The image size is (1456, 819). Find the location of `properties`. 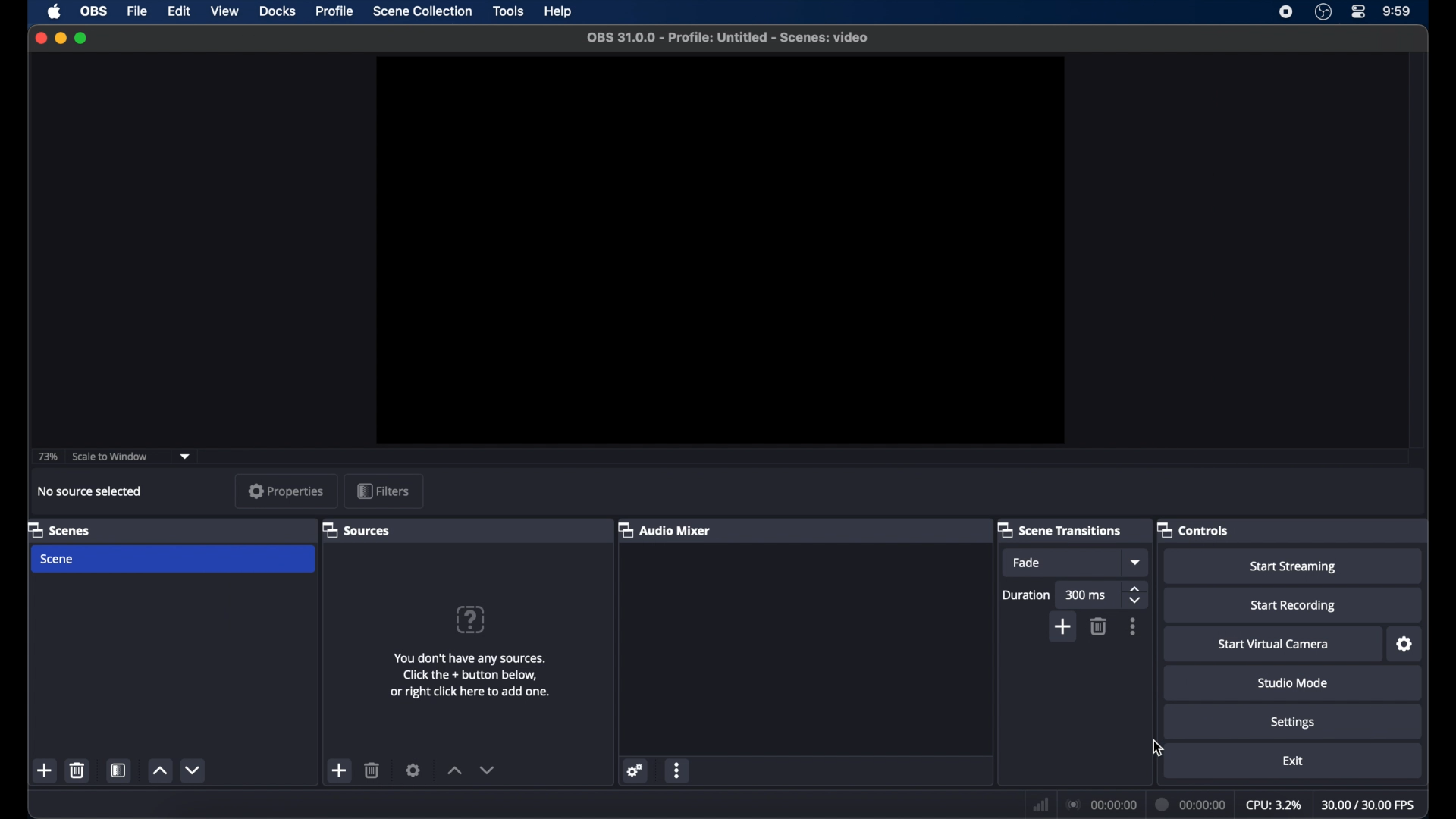

properties is located at coordinates (287, 491).